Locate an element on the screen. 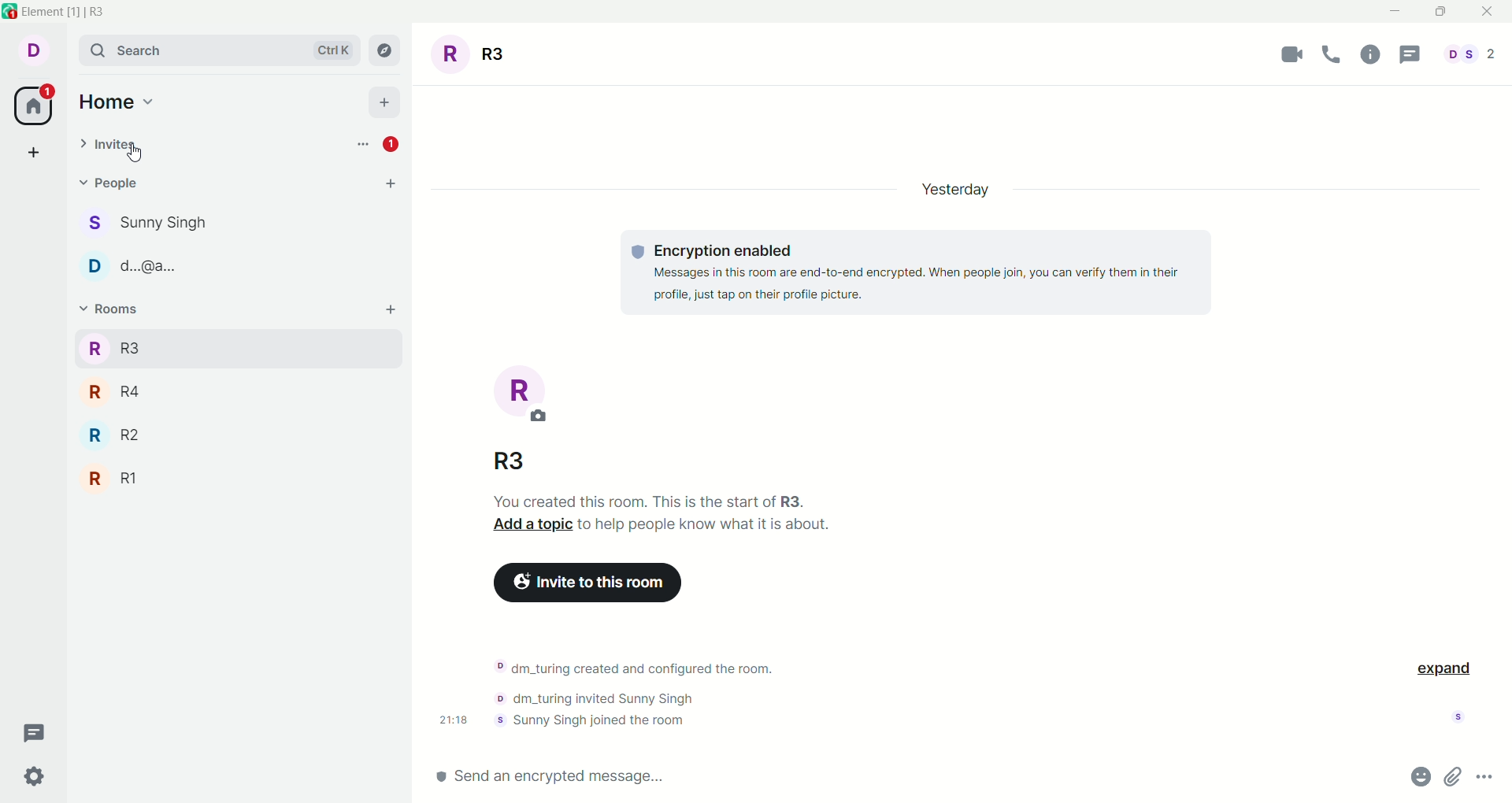  people is located at coordinates (1473, 54).